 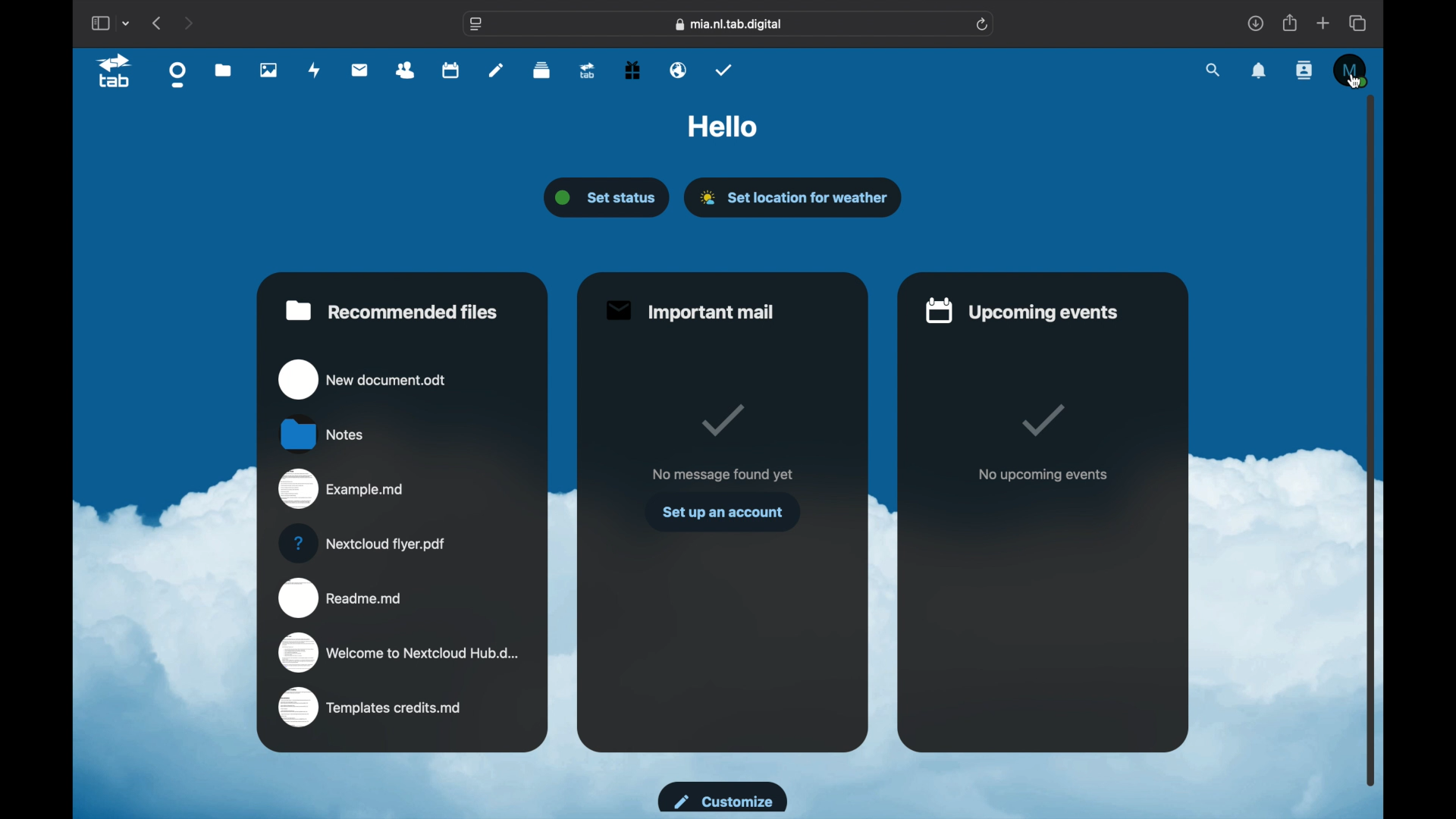 What do you see at coordinates (115, 71) in the screenshot?
I see `tab` at bounding box center [115, 71].